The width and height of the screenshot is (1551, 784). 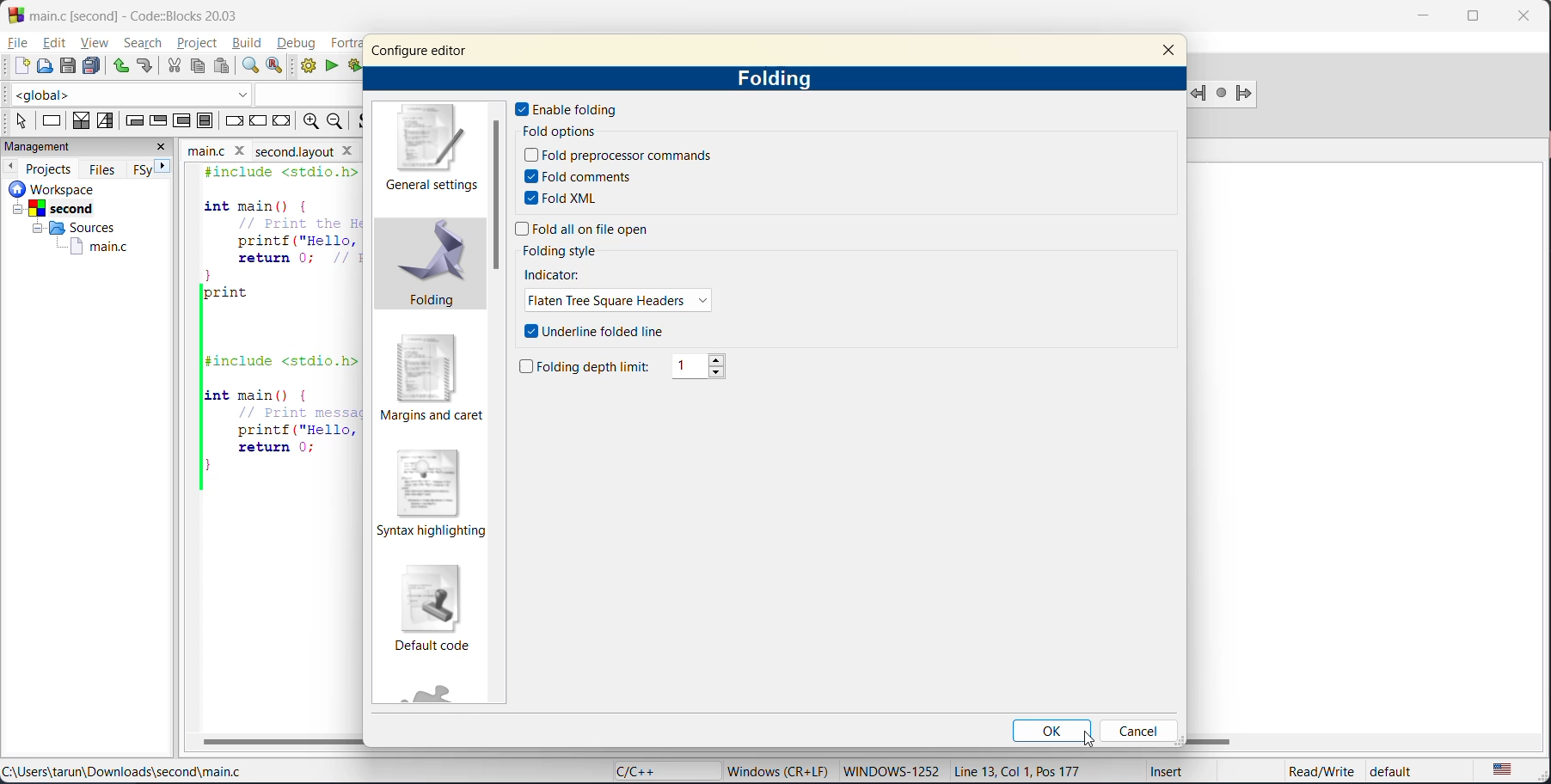 I want to click on paste, so click(x=221, y=66).